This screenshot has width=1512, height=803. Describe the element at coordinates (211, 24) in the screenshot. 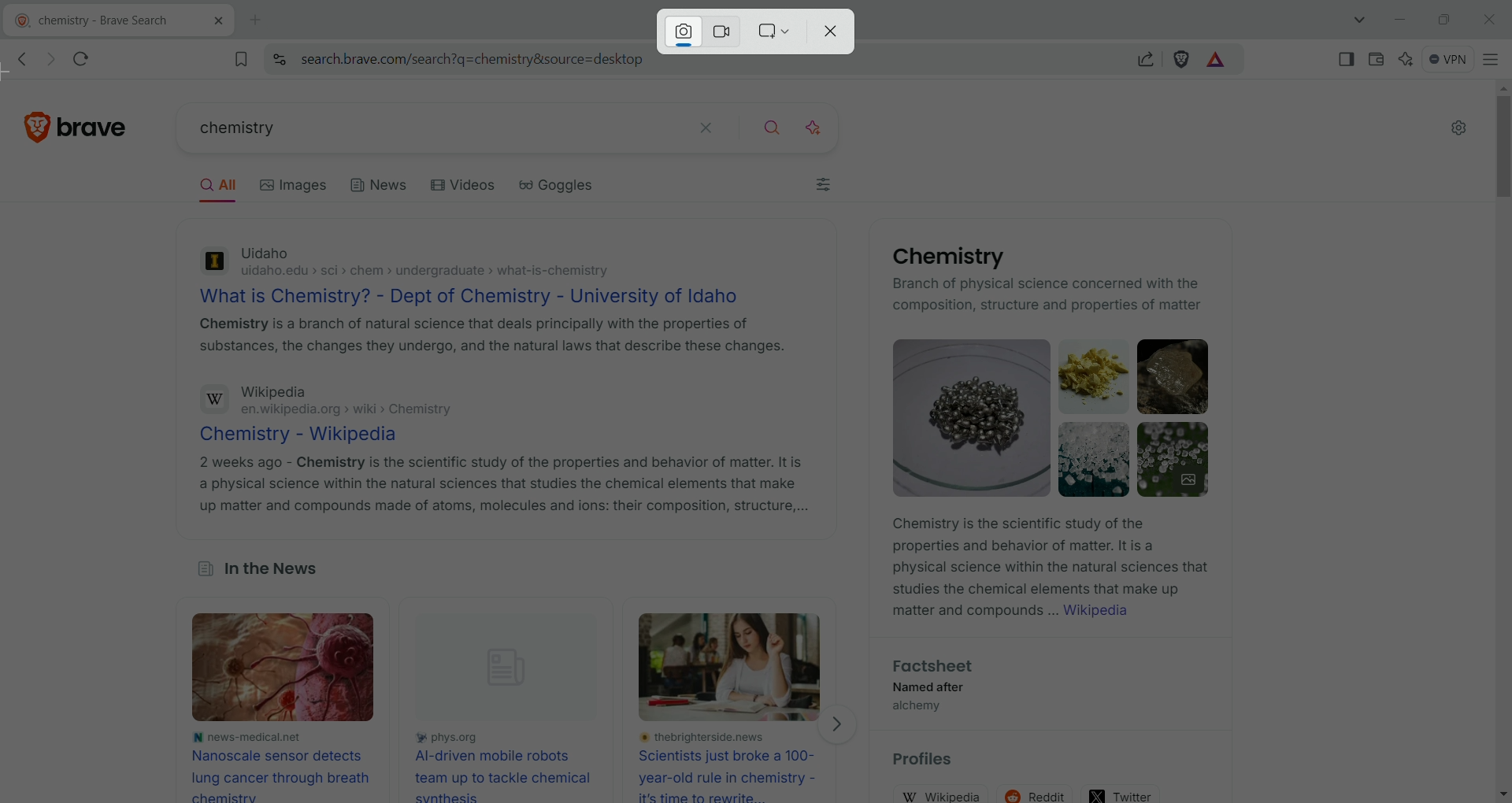

I see `close` at that location.